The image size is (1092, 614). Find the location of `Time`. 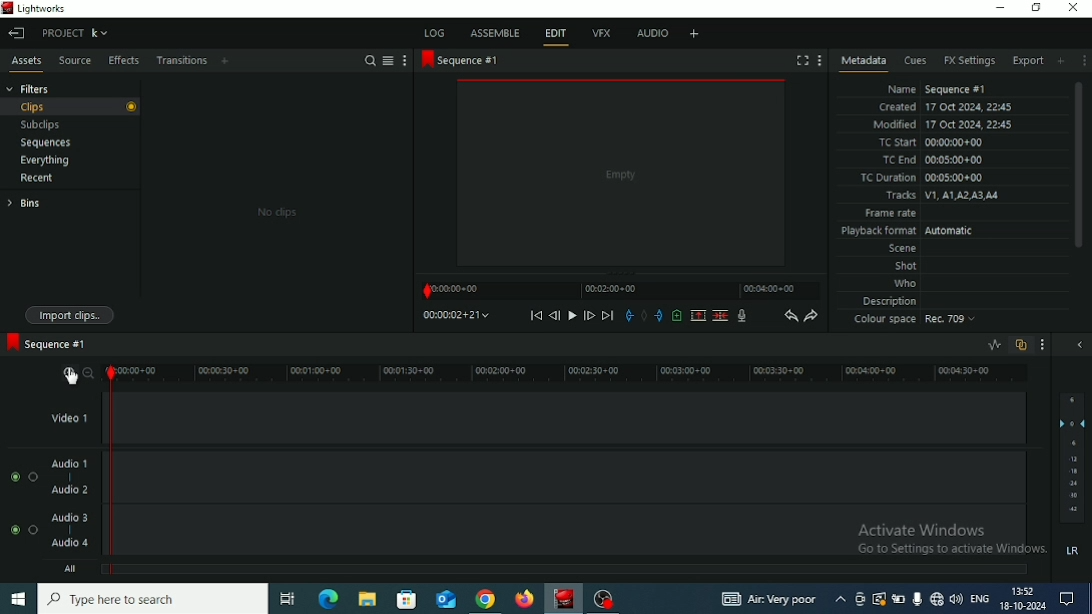

Time is located at coordinates (1024, 591).